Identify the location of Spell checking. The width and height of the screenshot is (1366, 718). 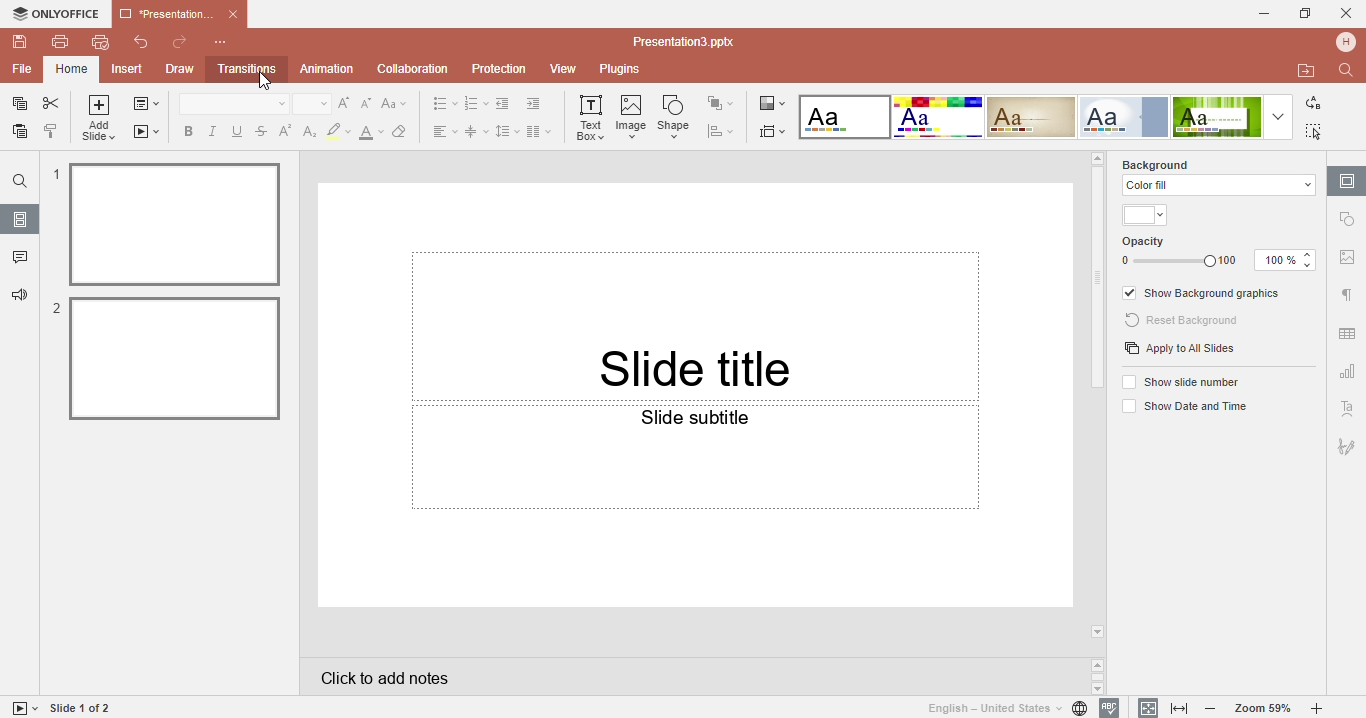
(1110, 708).